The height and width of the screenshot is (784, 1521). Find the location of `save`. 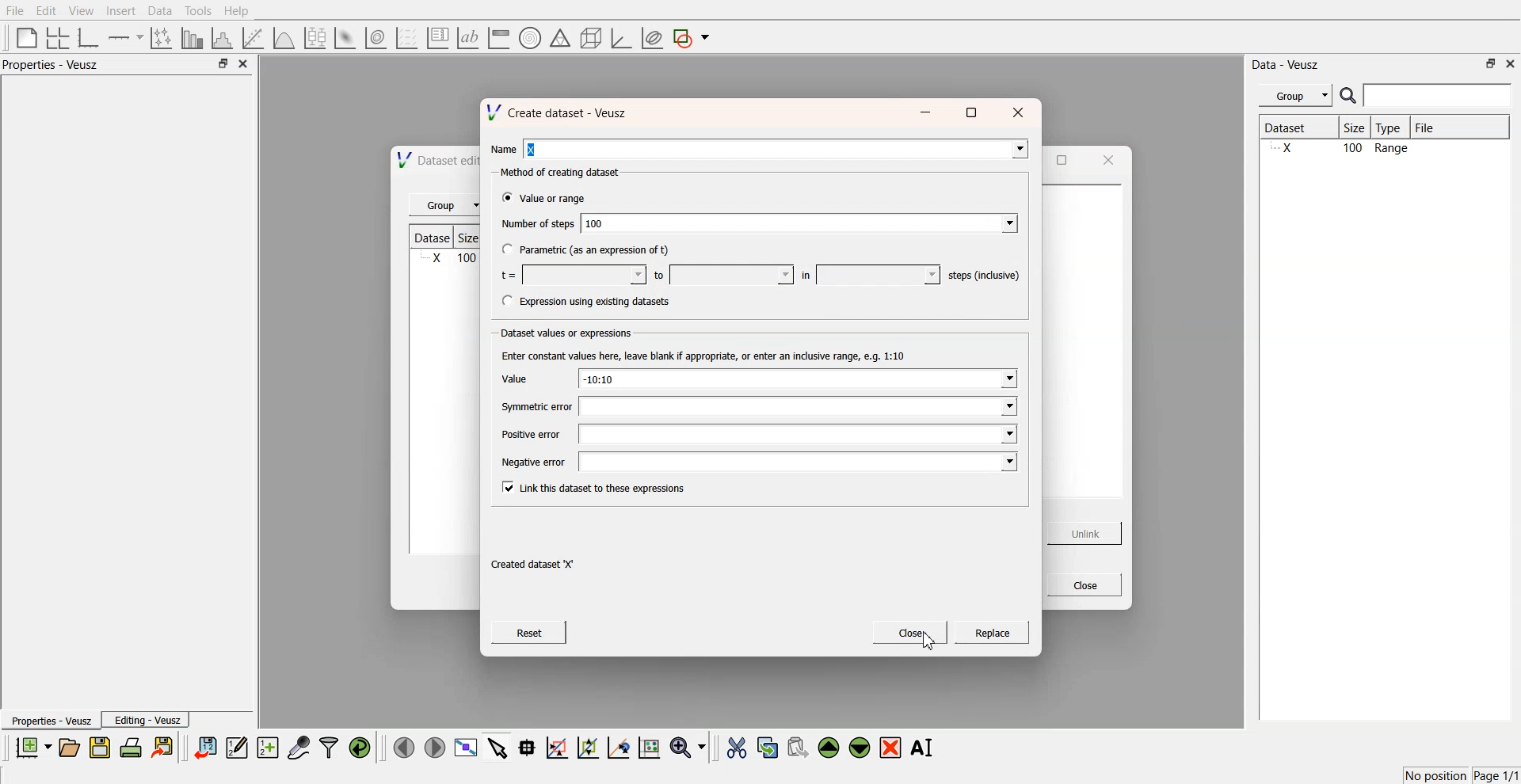

save is located at coordinates (102, 748).